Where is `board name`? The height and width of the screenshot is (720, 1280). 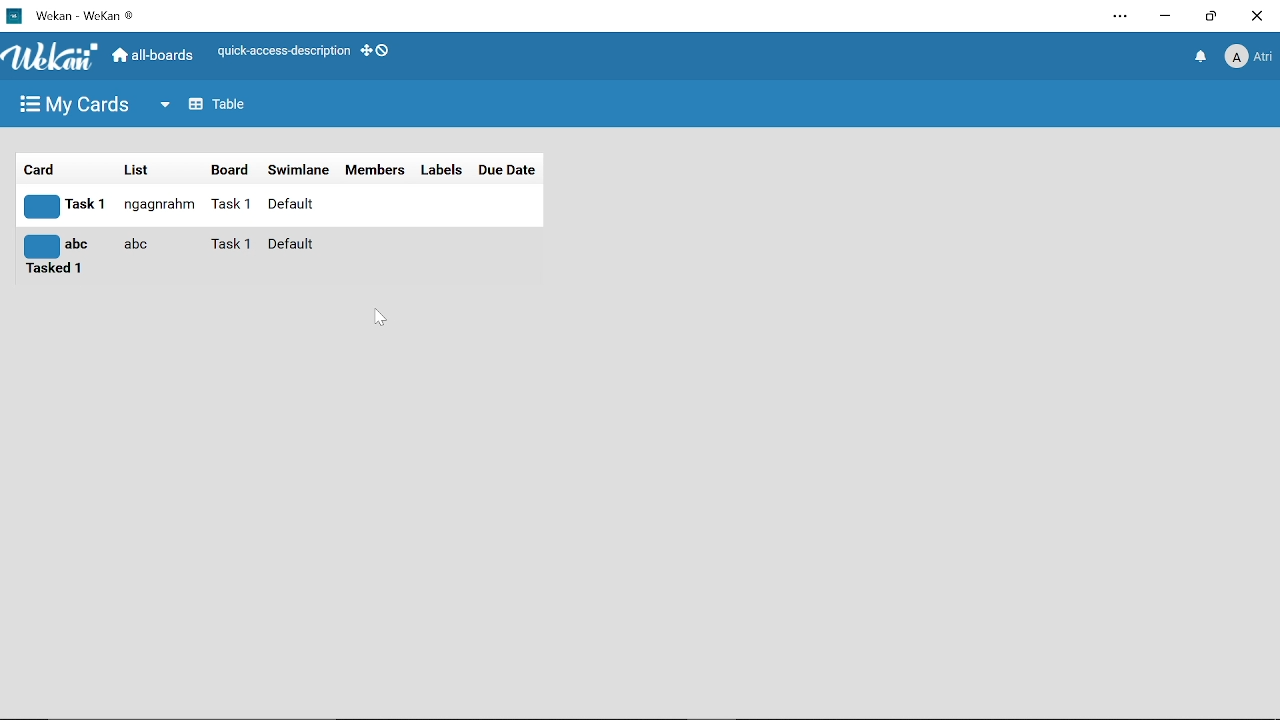 board name is located at coordinates (235, 243).